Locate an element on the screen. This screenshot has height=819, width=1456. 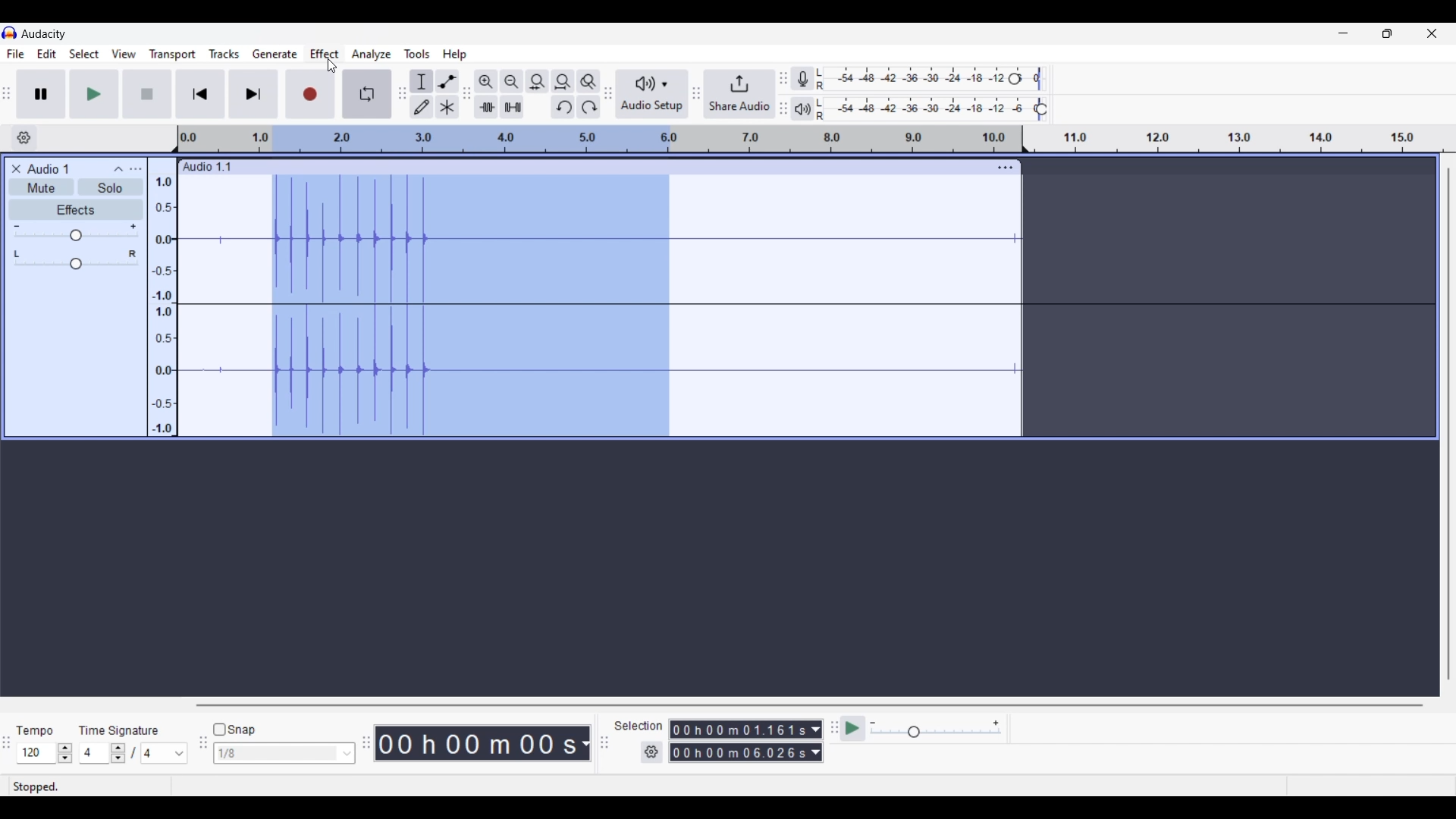
Vertical slide bar is located at coordinates (1448, 423).